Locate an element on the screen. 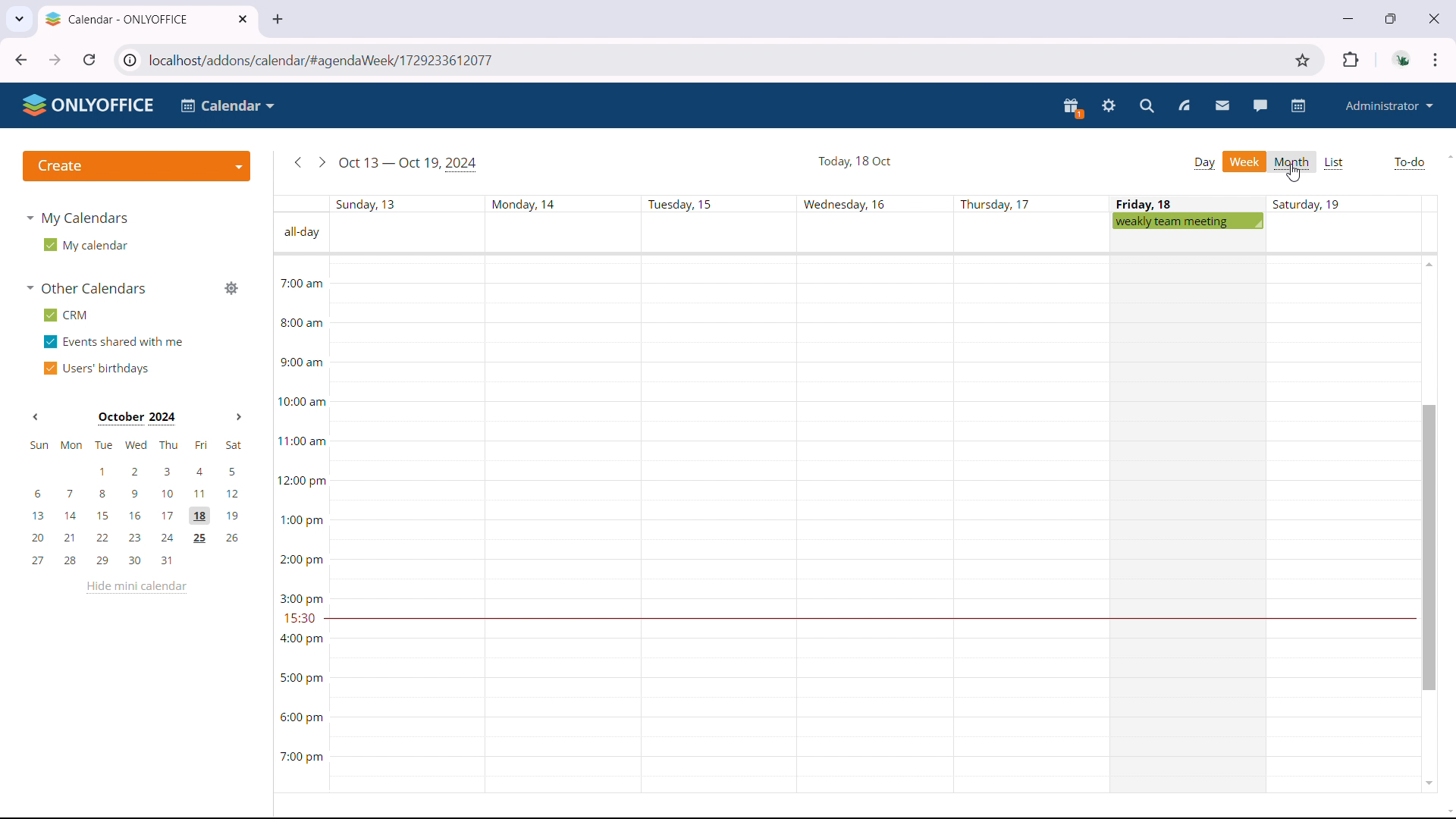  mail is located at coordinates (1222, 106).